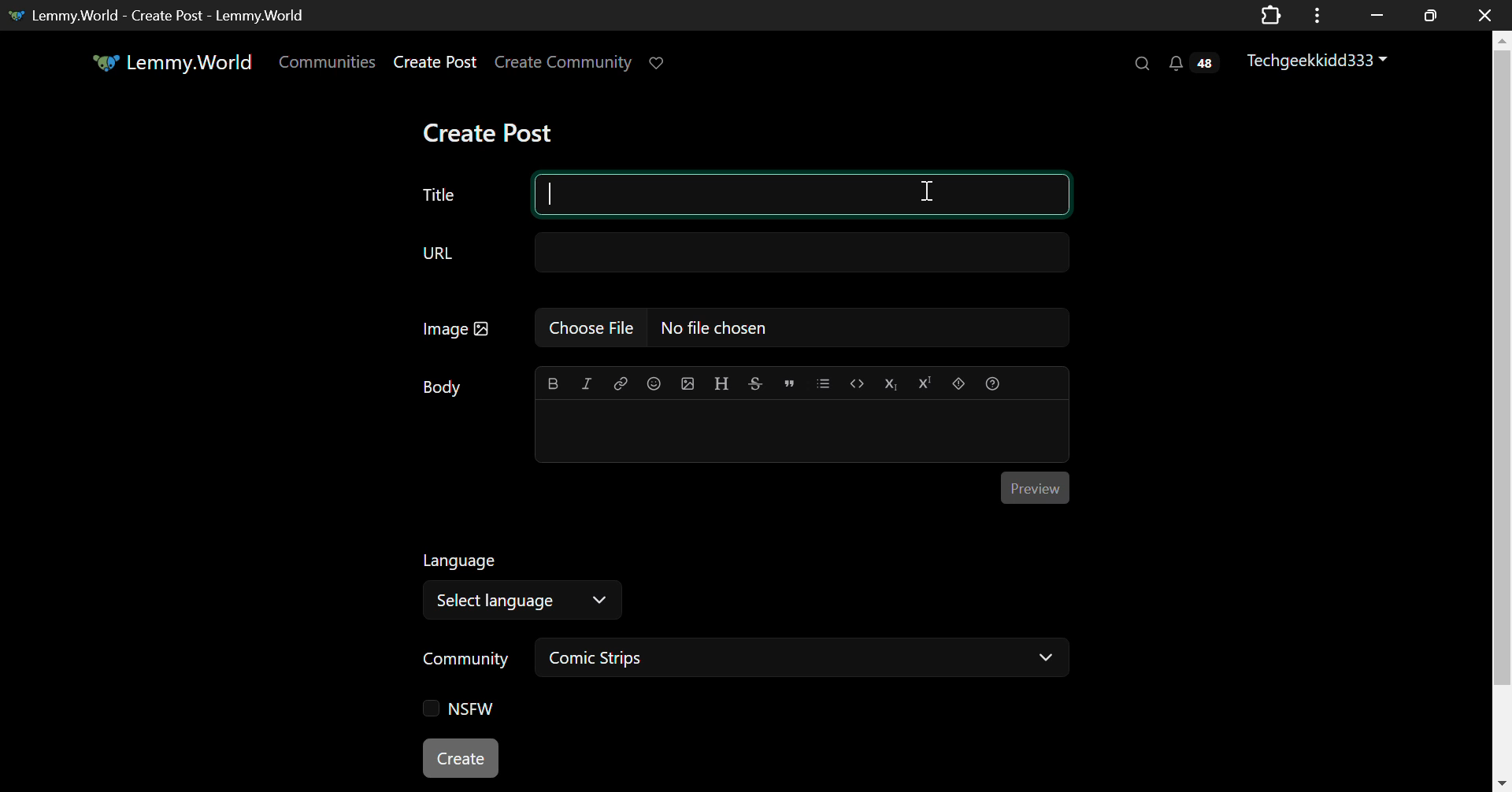  Describe the element at coordinates (1314, 14) in the screenshot. I see `Options Menu` at that location.